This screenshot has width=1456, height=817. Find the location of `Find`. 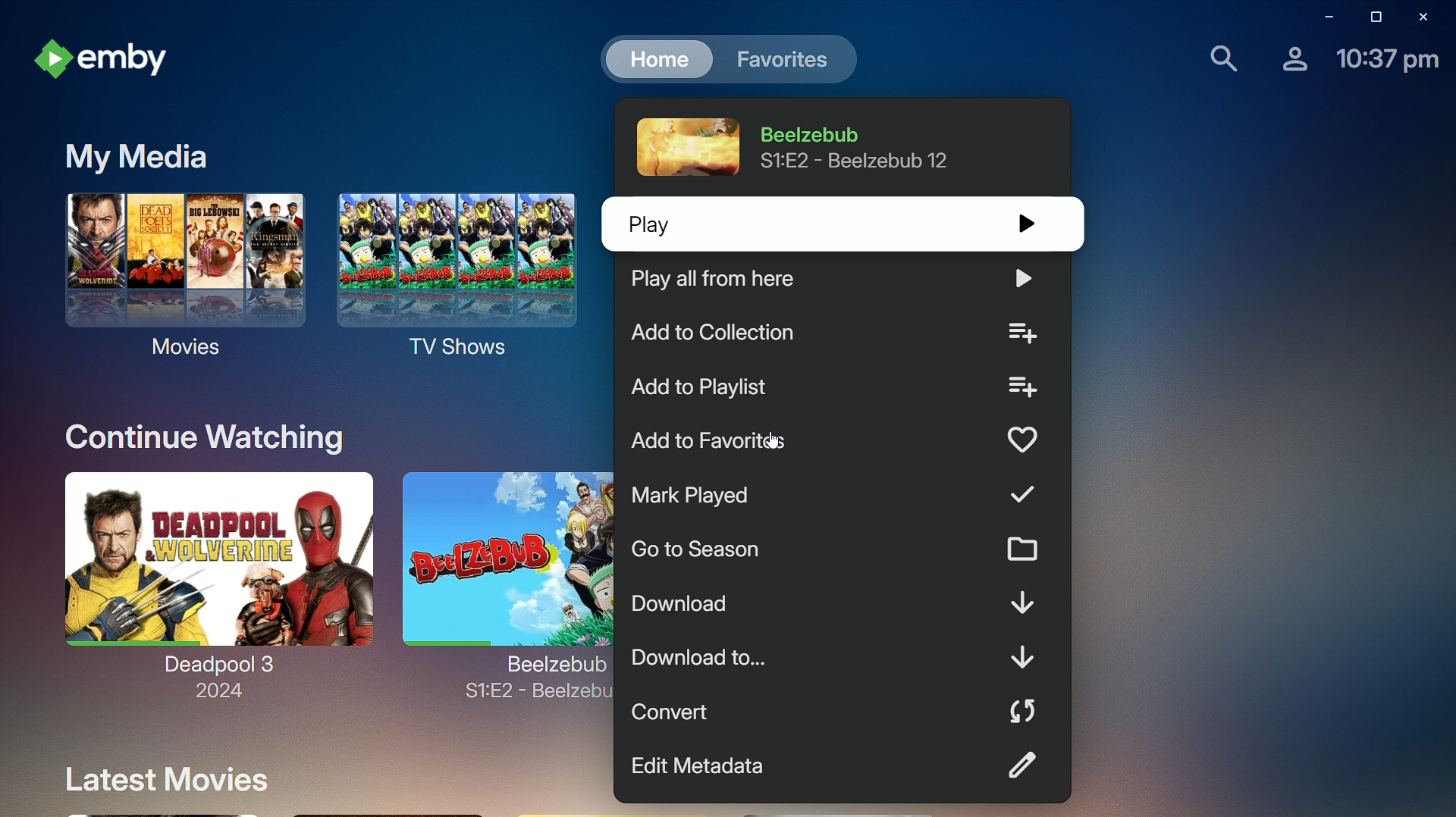

Find is located at coordinates (1220, 59).